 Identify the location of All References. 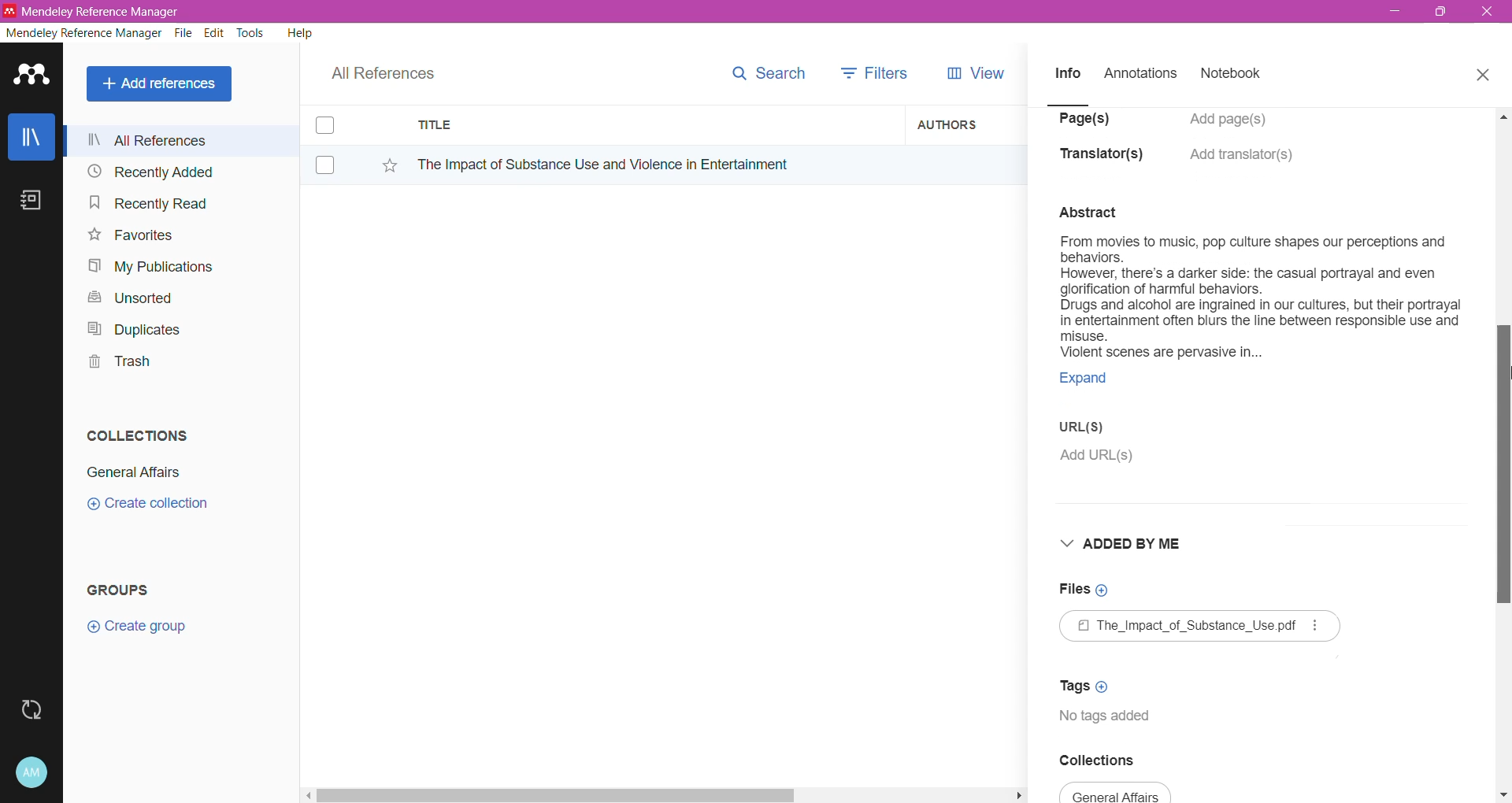
(185, 140).